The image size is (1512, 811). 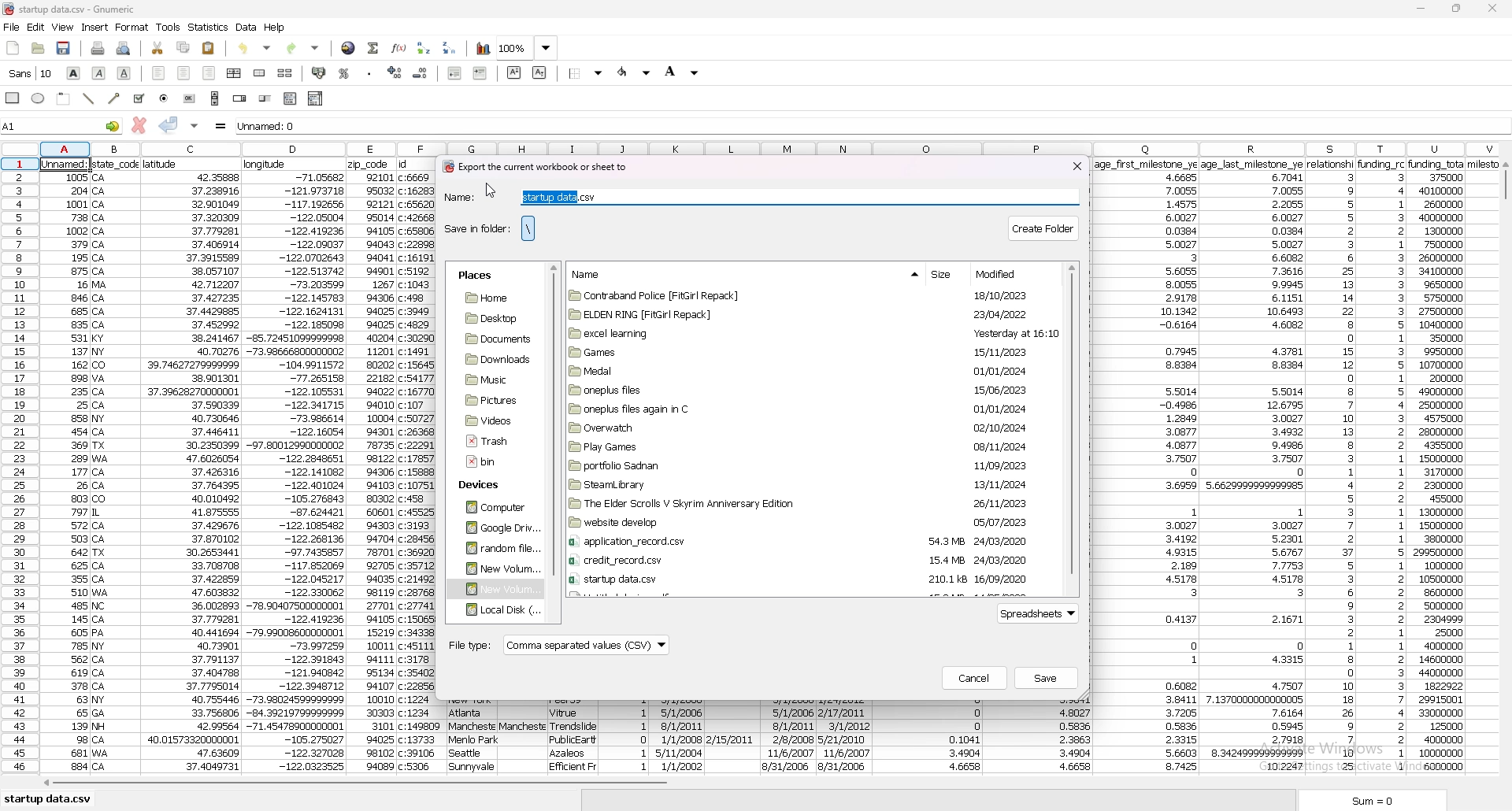 What do you see at coordinates (1147, 467) in the screenshot?
I see `daat` at bounding box center [1147, 467].